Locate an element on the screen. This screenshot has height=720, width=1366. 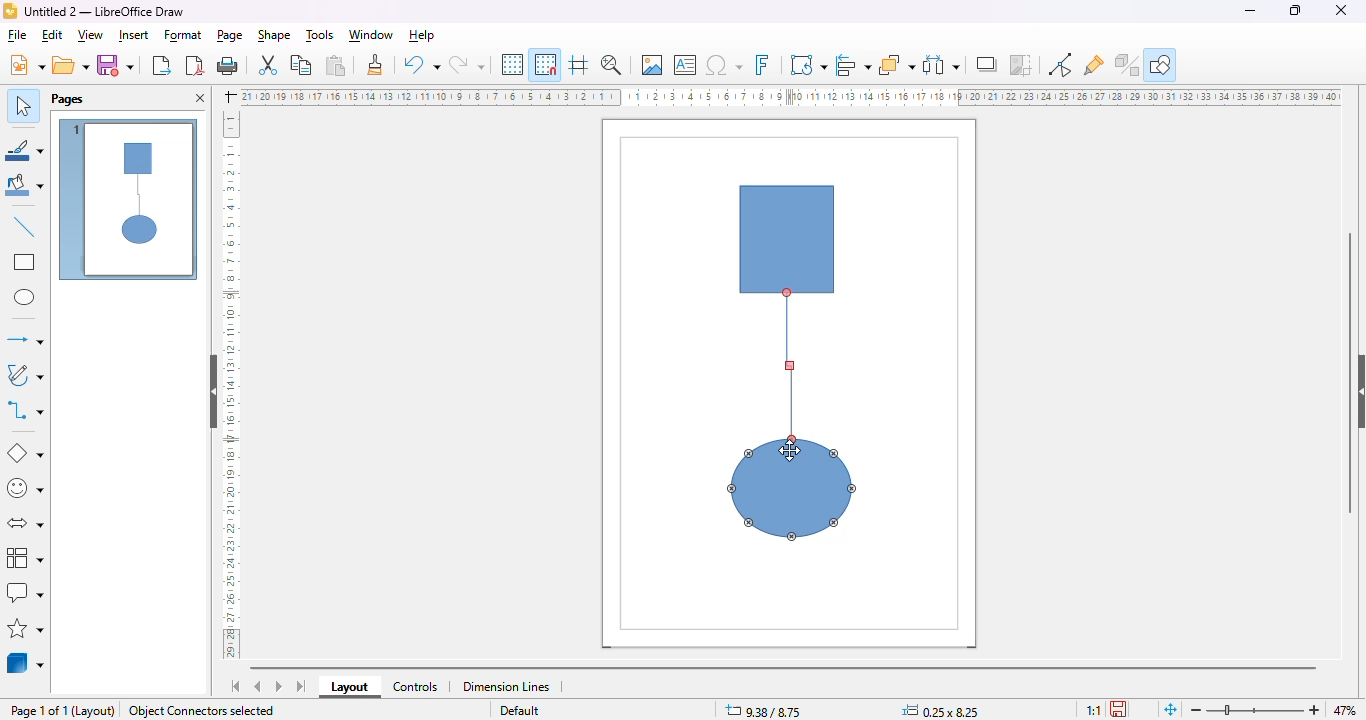
paste is located at coordinates (336, 65).